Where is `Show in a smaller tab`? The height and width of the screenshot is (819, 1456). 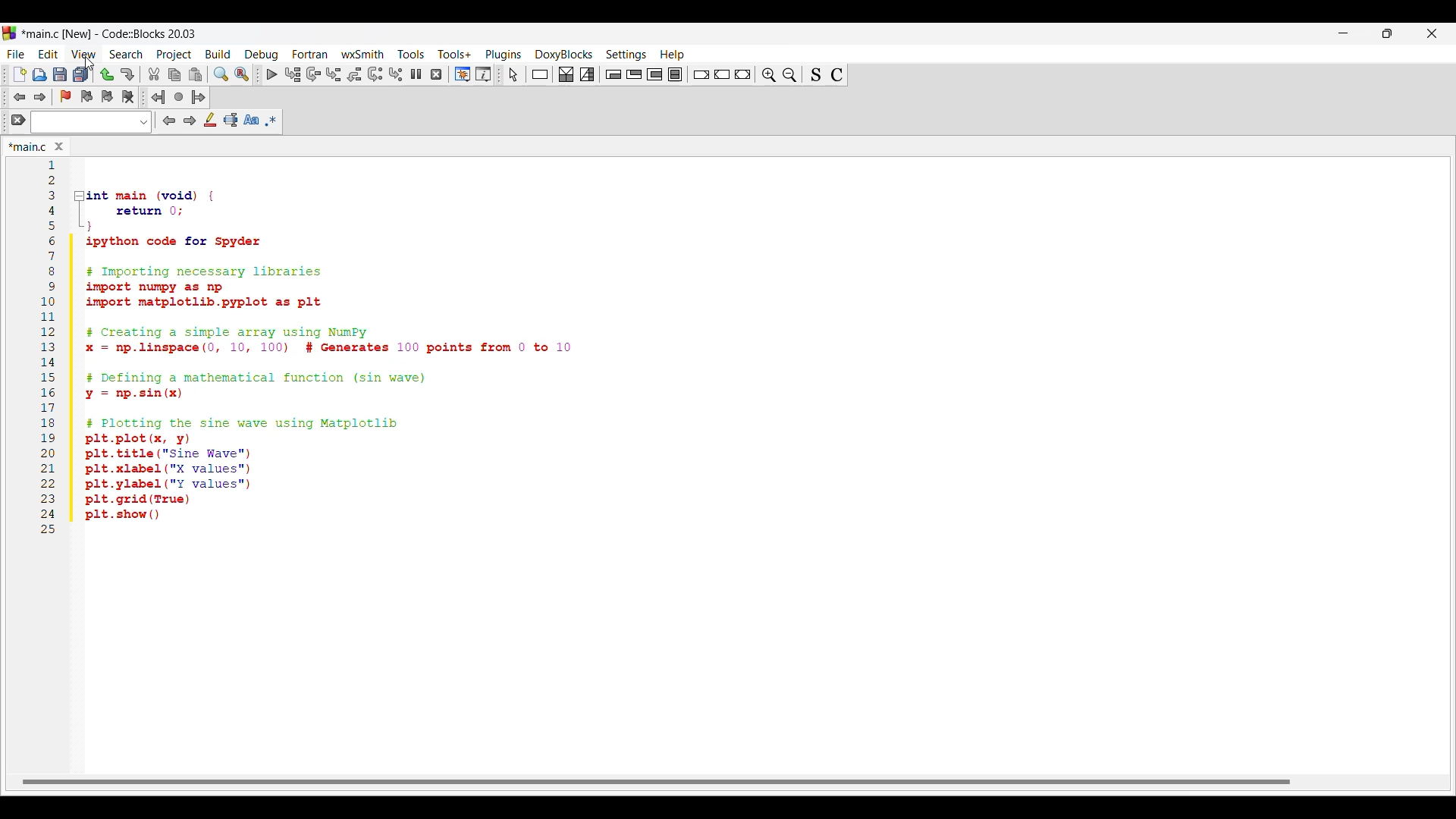 Show in a smaller tab is located at coordinates (1388, 33).